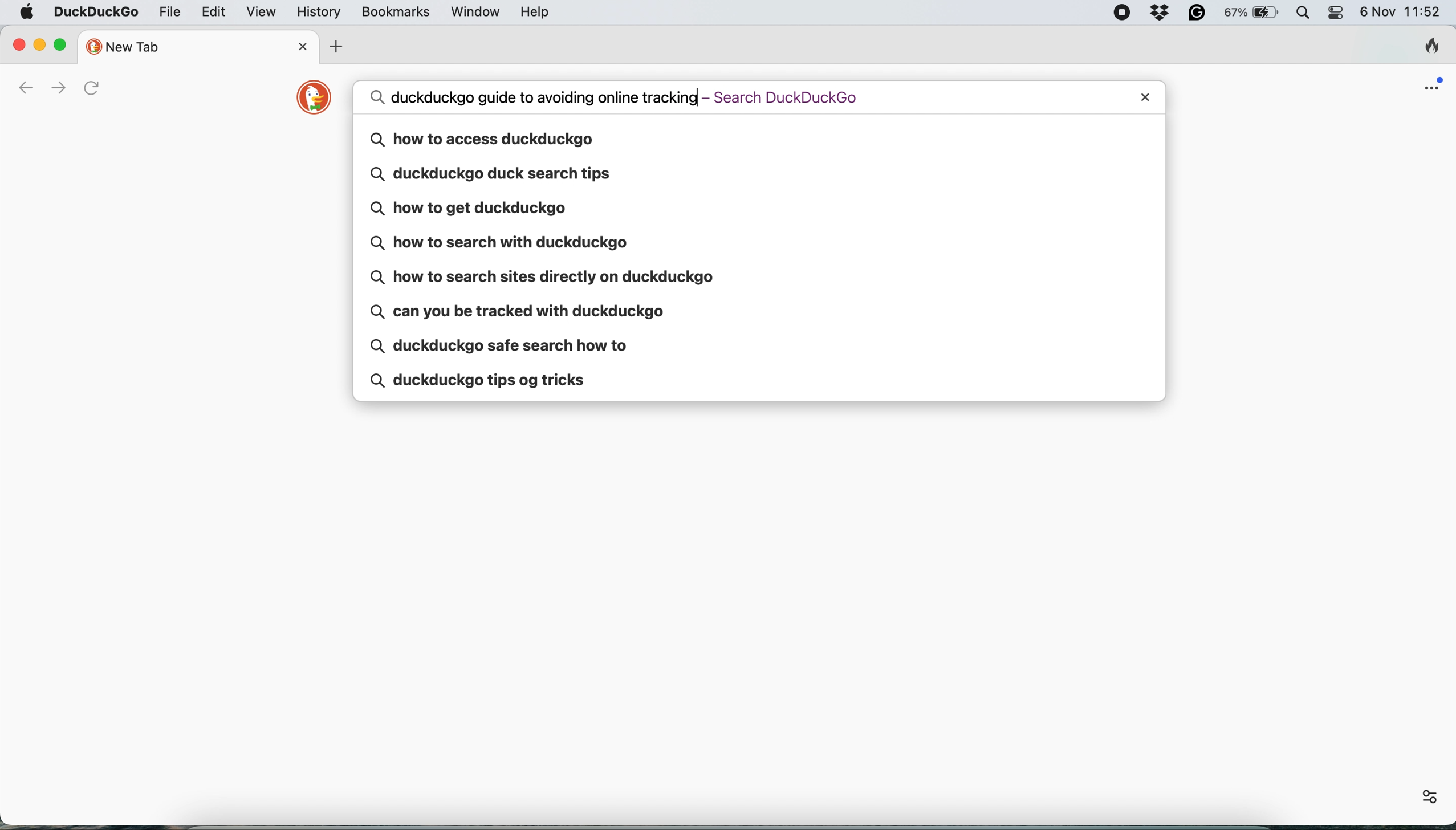 The height and width of the screenshot is (830, 1456). Describe the element at coordinates (1144, 97) in the screenshot. I see `close` at that location.